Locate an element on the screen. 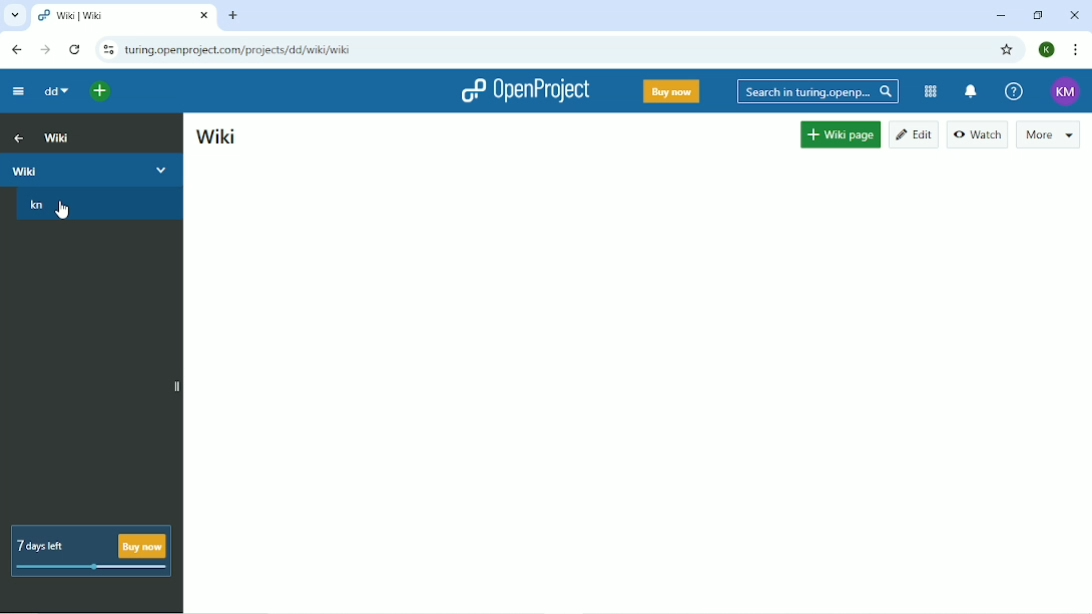 The height and width of the screenshot is (614, 1092). dd is located at coordinates (55, 93).